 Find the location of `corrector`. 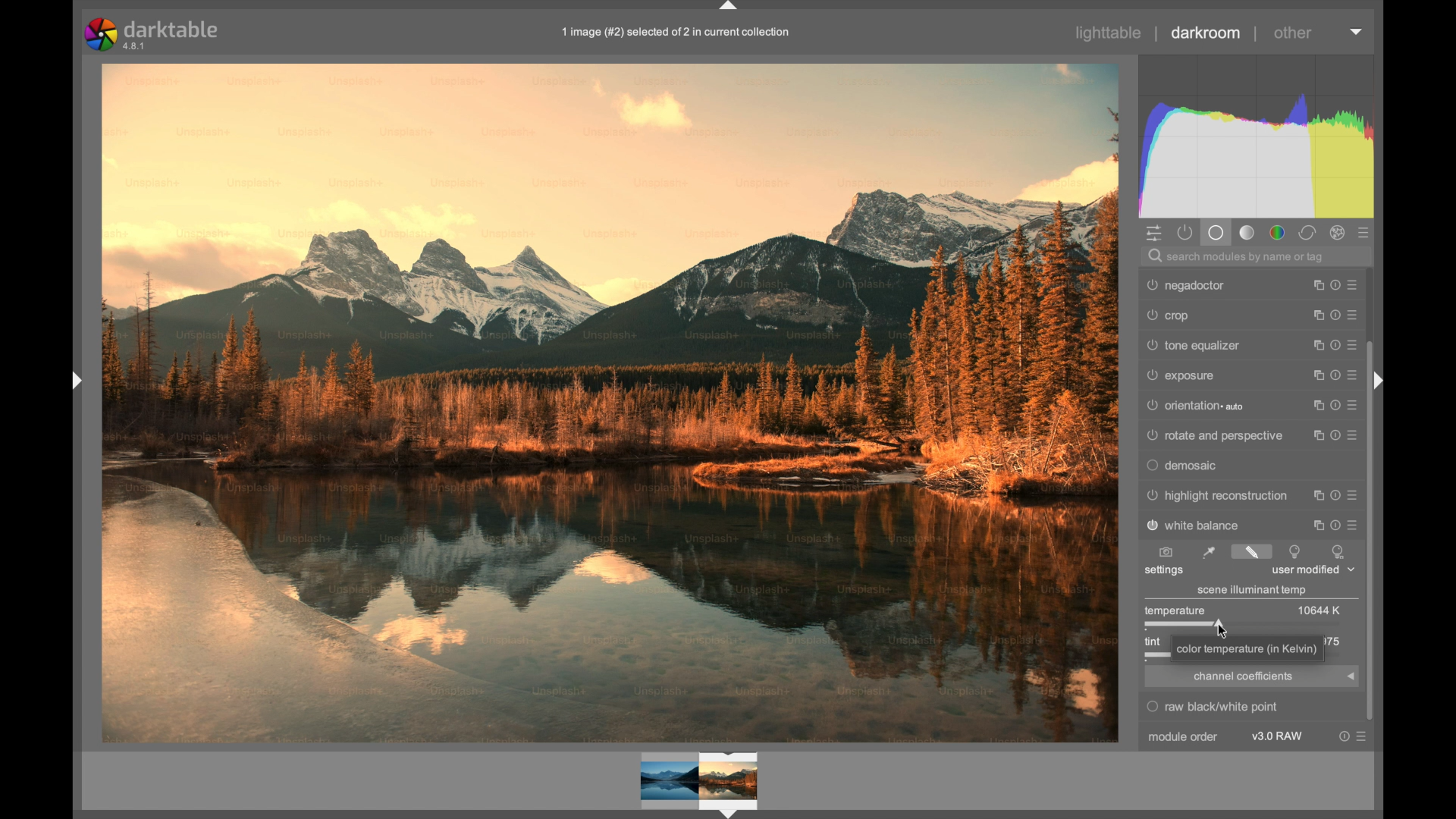

corrector is located at coordinates (1307, 232).